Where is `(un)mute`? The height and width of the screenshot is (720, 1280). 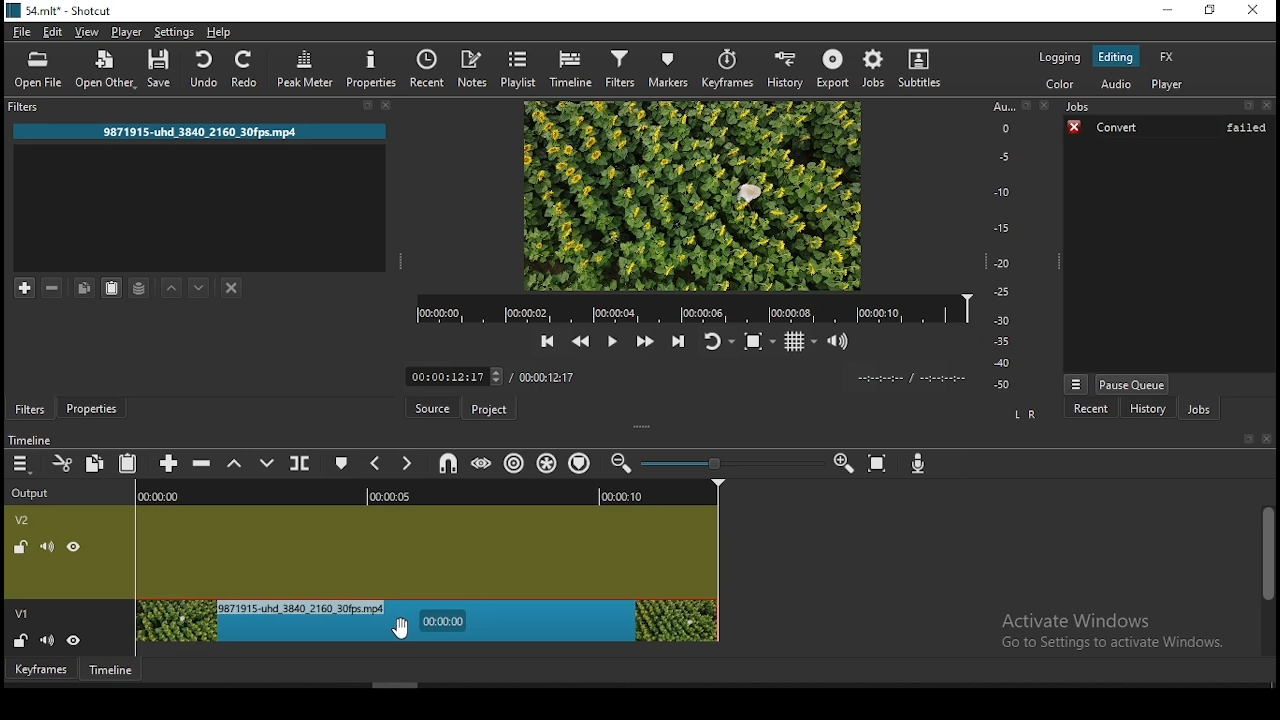
(un)mute is located at coordinates (47, 548).